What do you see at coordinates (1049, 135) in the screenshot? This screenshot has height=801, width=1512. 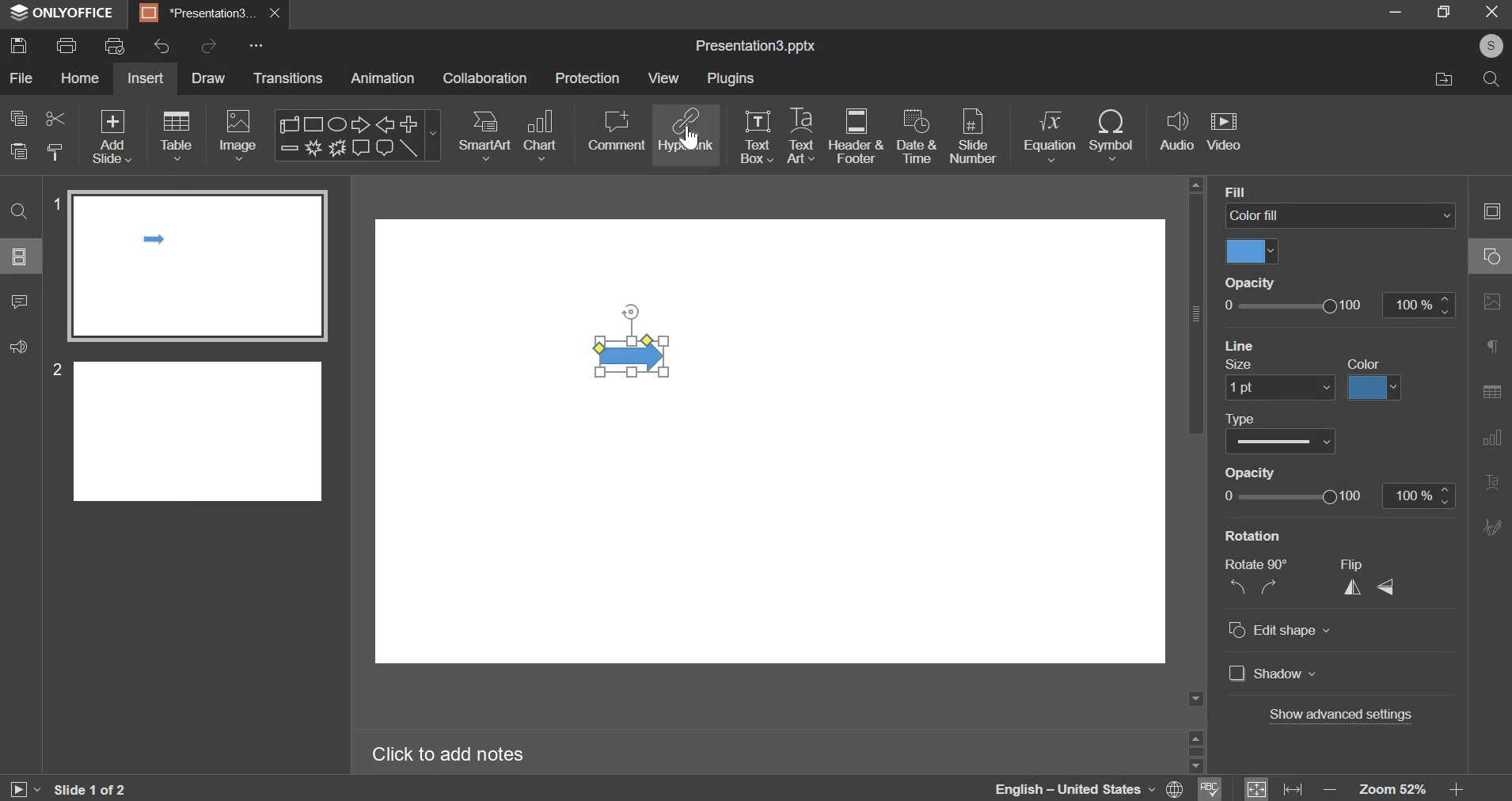 I see `equation` at bounding box center [1049, 135].